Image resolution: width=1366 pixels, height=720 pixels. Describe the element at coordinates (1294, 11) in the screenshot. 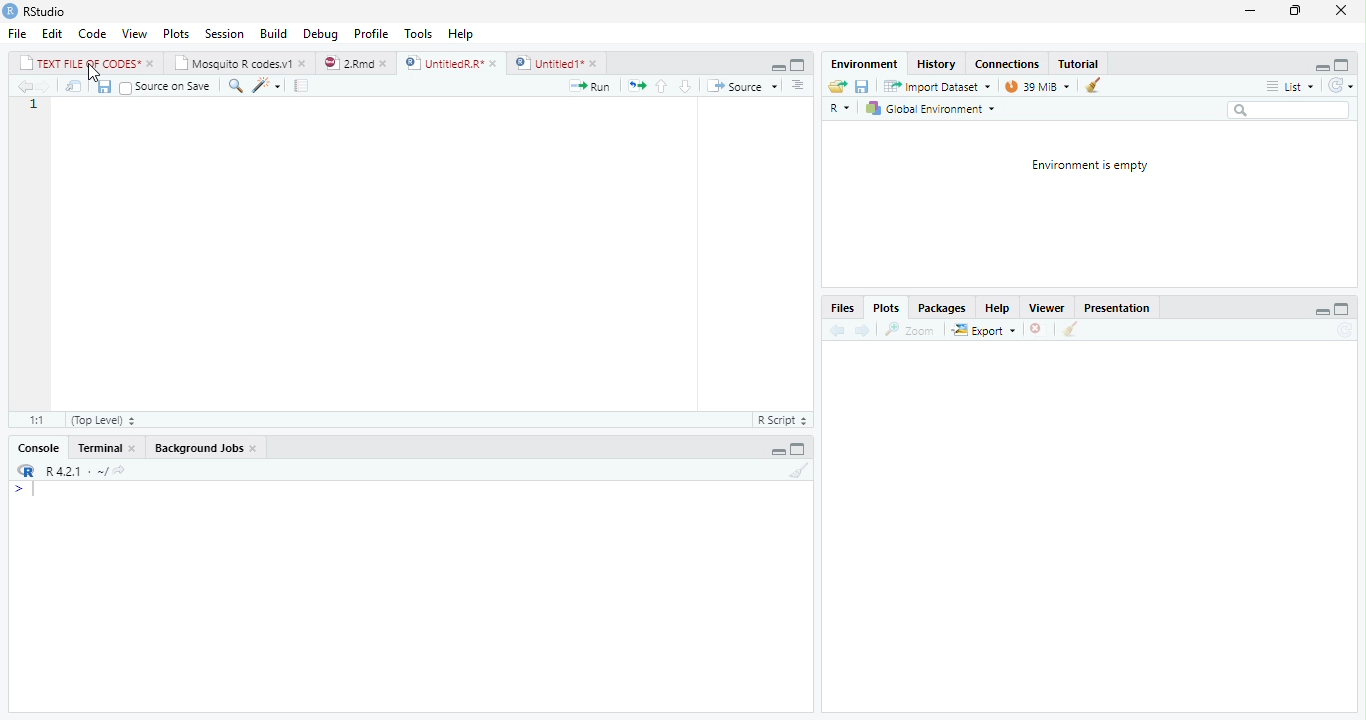

I see `Restore Down` at that location.